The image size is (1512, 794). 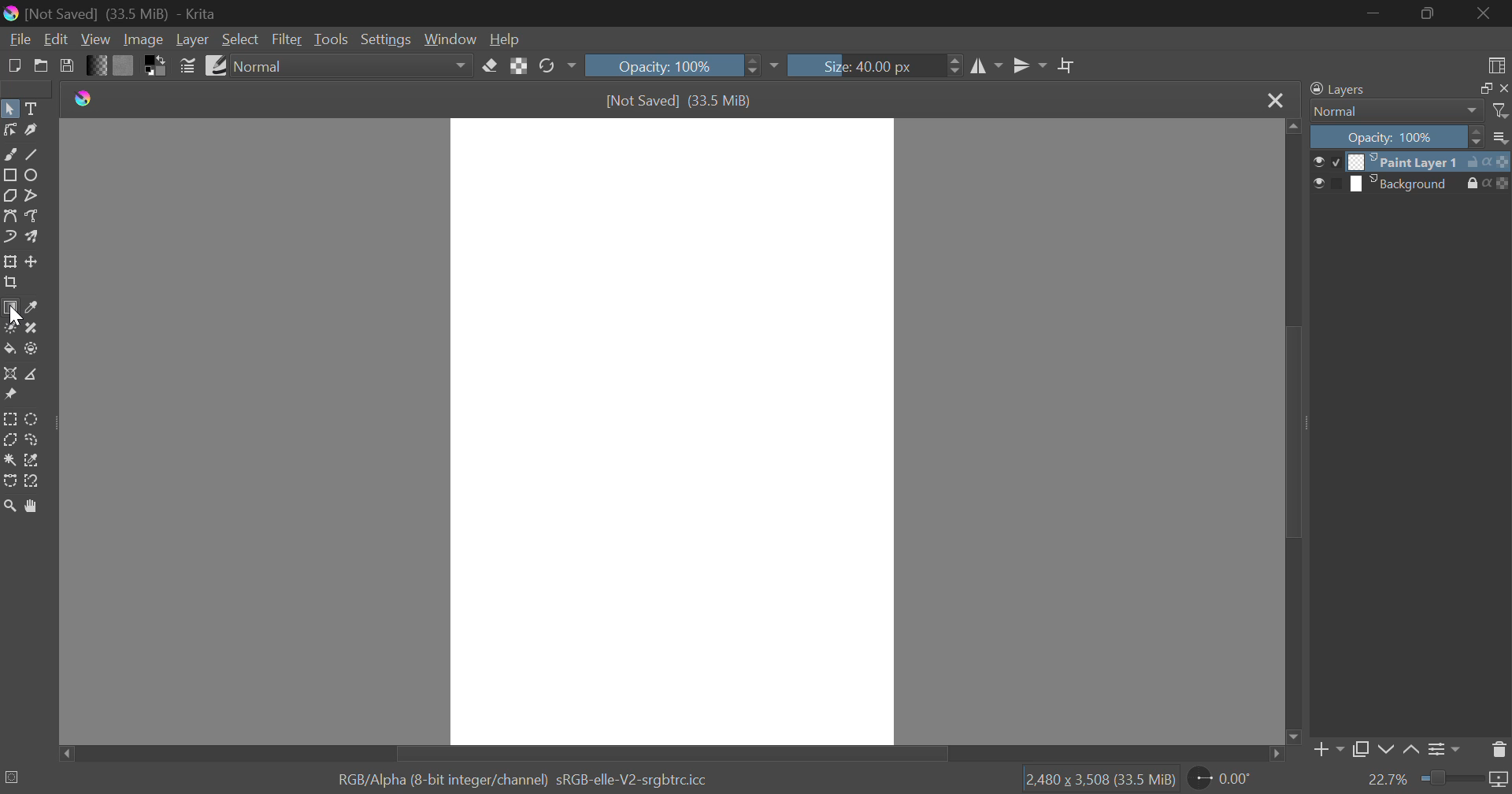 What do you see at coordinates (9, 262) in the screenshot?
I see `Transform Layer` at bounding box center [9, 262].